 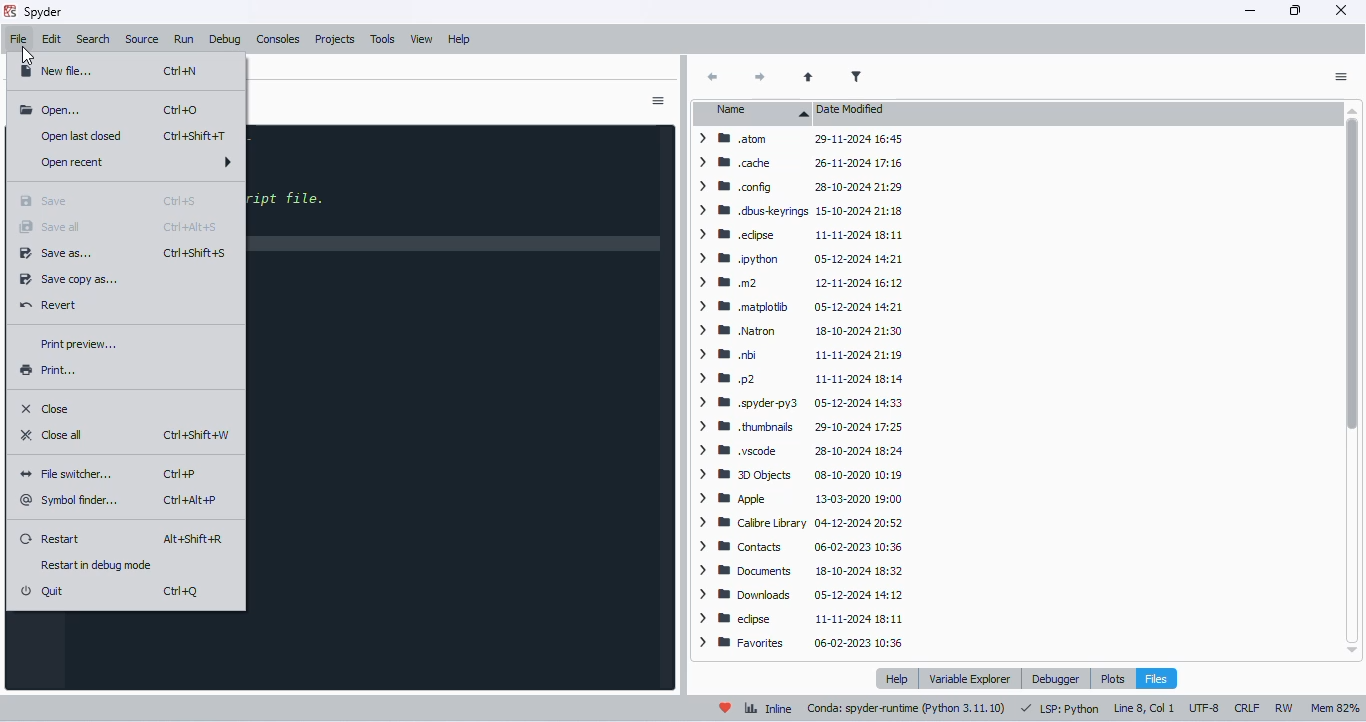 I want to click on shortcut for save all, so click(x=190, y=227).